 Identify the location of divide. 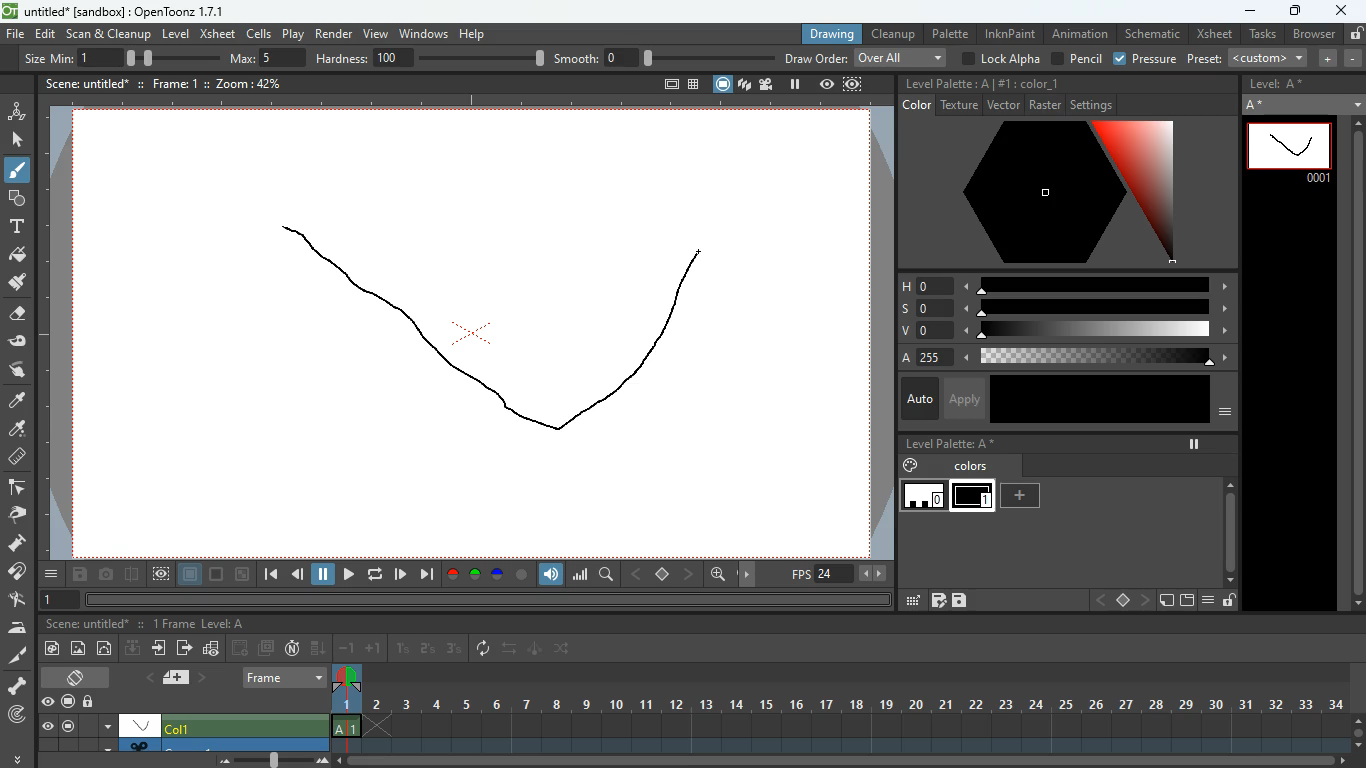
(133, 577).